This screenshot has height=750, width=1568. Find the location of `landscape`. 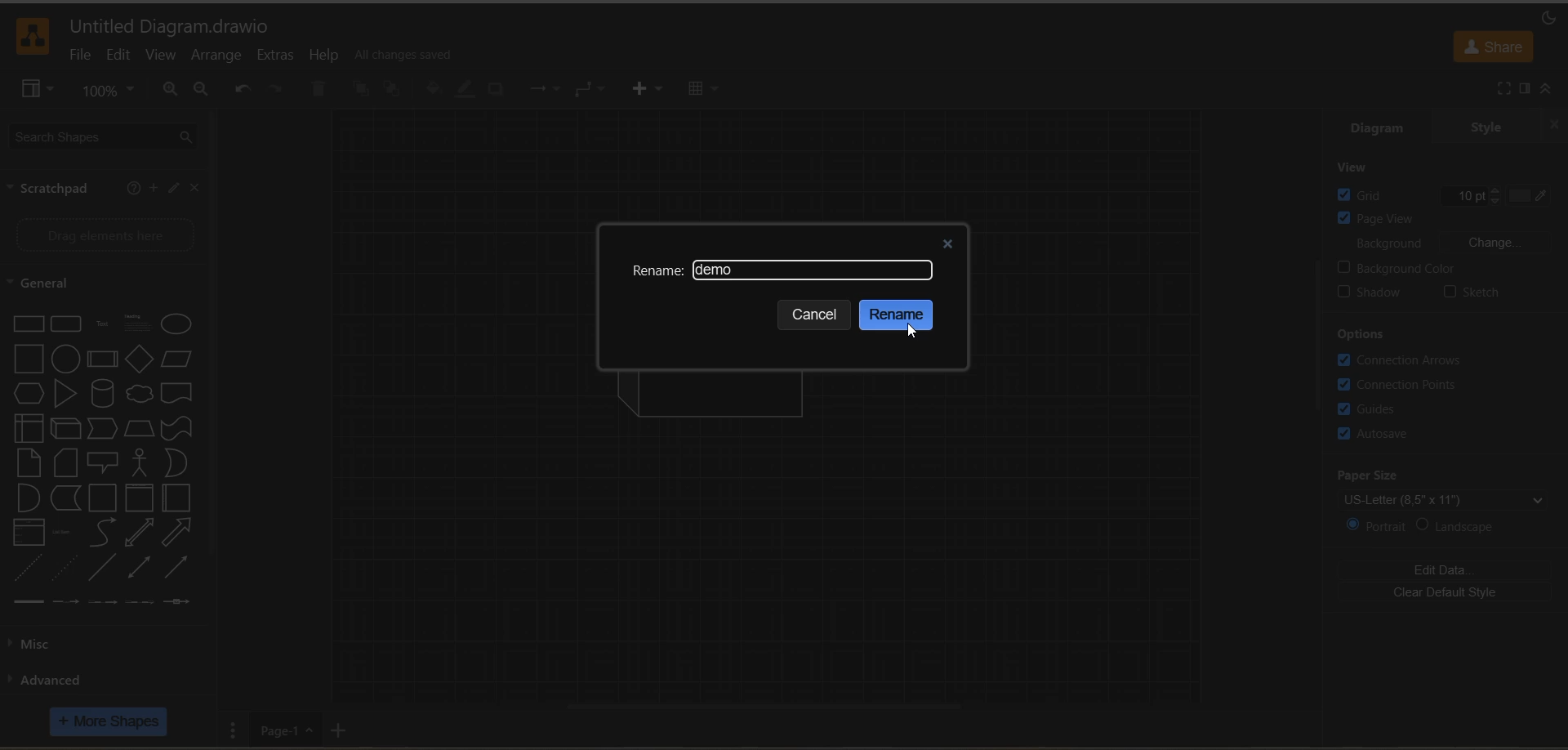

landscape is located at coordinates (1466, 526).